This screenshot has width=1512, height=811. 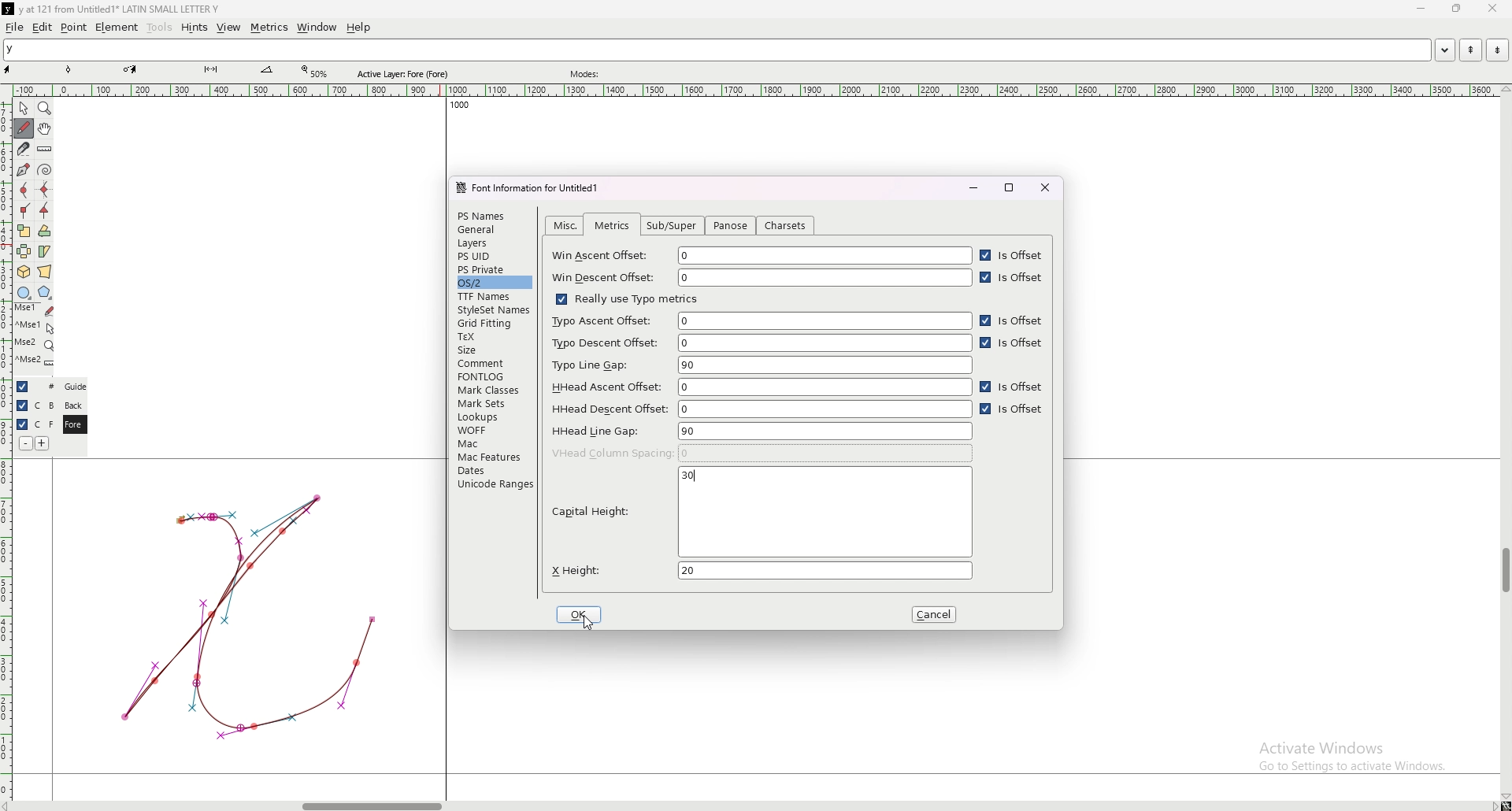 I want to click on open word list, so click(x=1444, y=50).